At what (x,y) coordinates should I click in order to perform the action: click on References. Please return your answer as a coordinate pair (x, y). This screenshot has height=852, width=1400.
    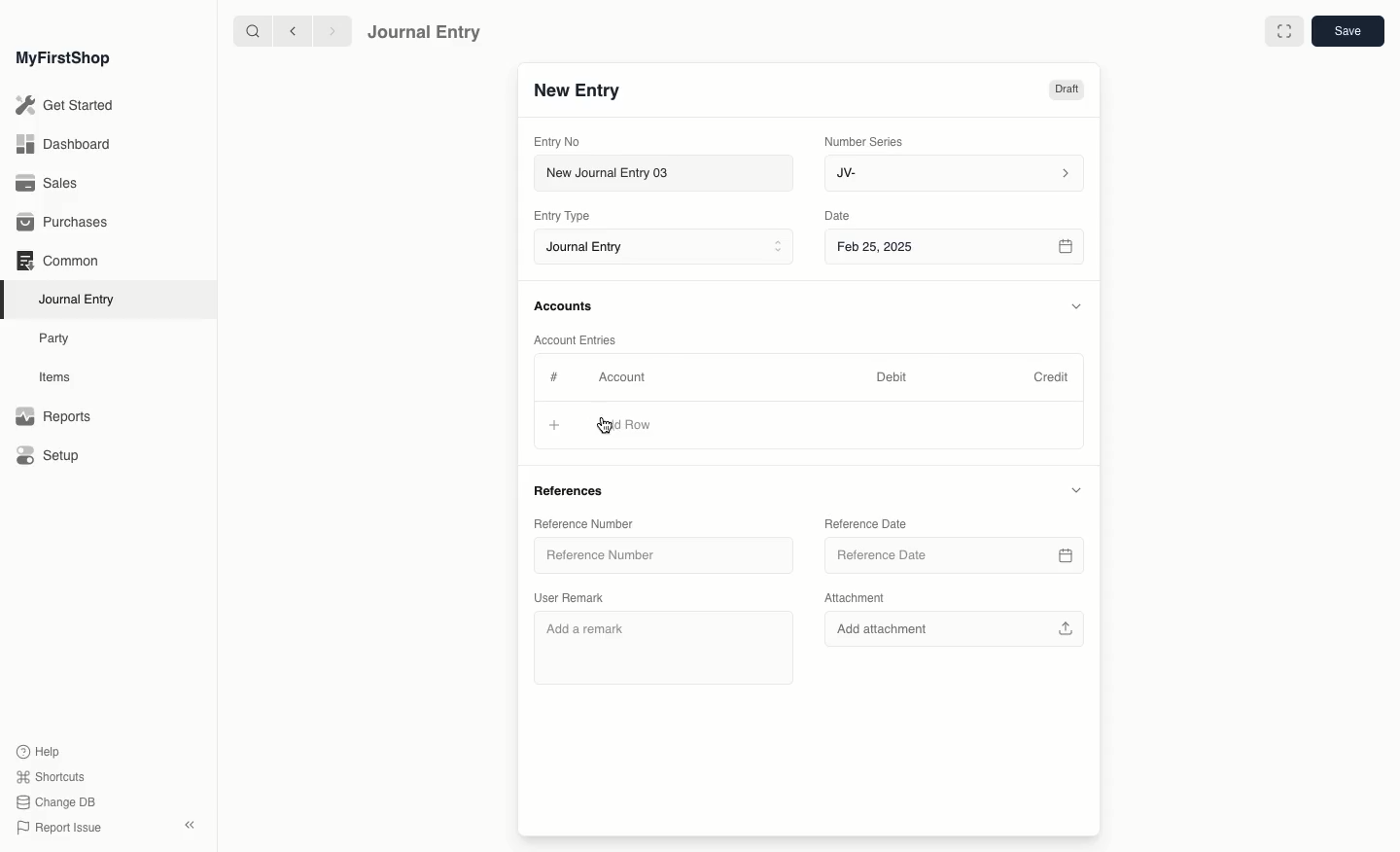
    Looking at the image, I should click on (572, 489).